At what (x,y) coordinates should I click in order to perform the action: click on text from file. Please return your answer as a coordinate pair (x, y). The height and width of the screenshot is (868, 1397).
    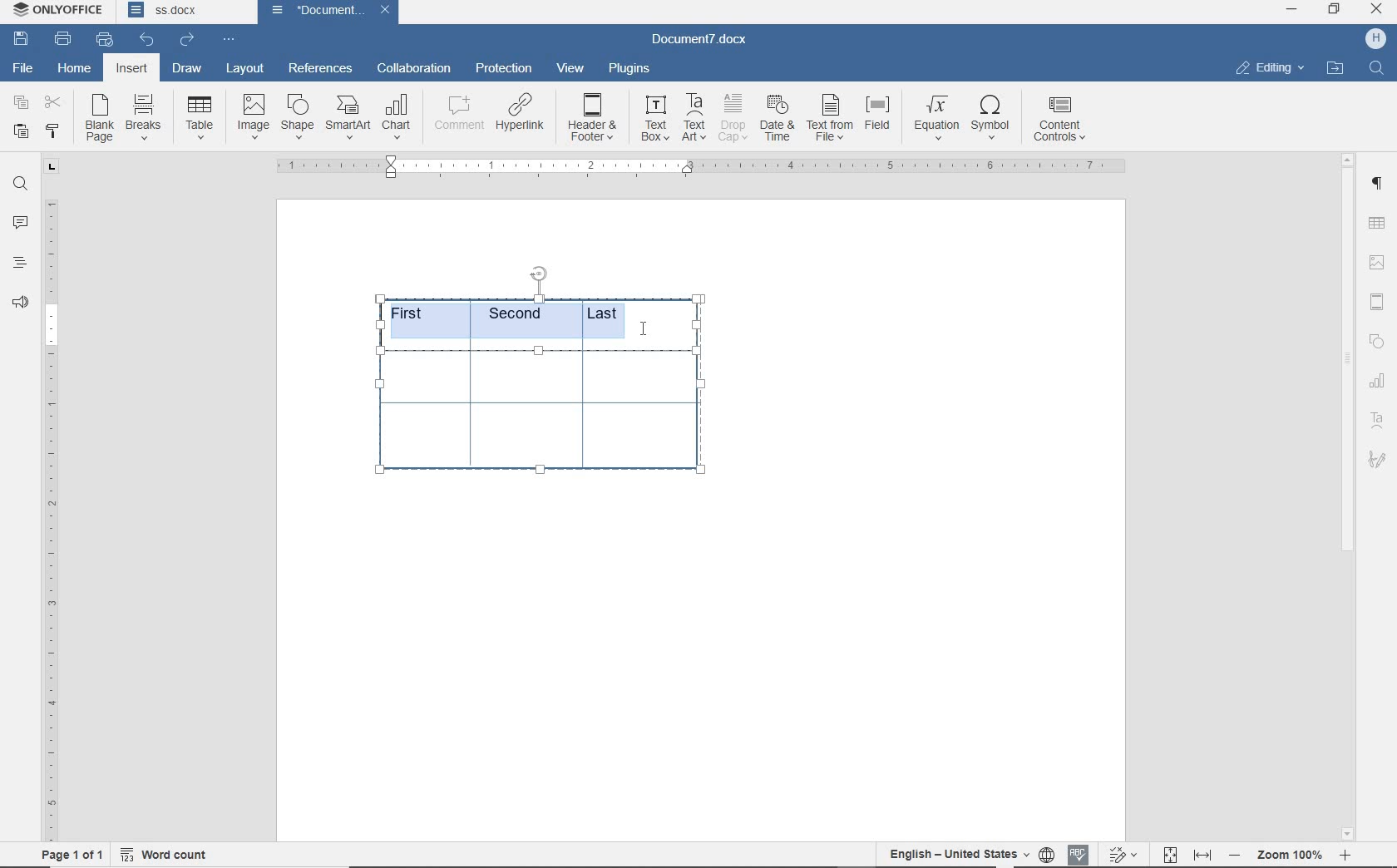
    Looking at the image, I should click on (830, 116).